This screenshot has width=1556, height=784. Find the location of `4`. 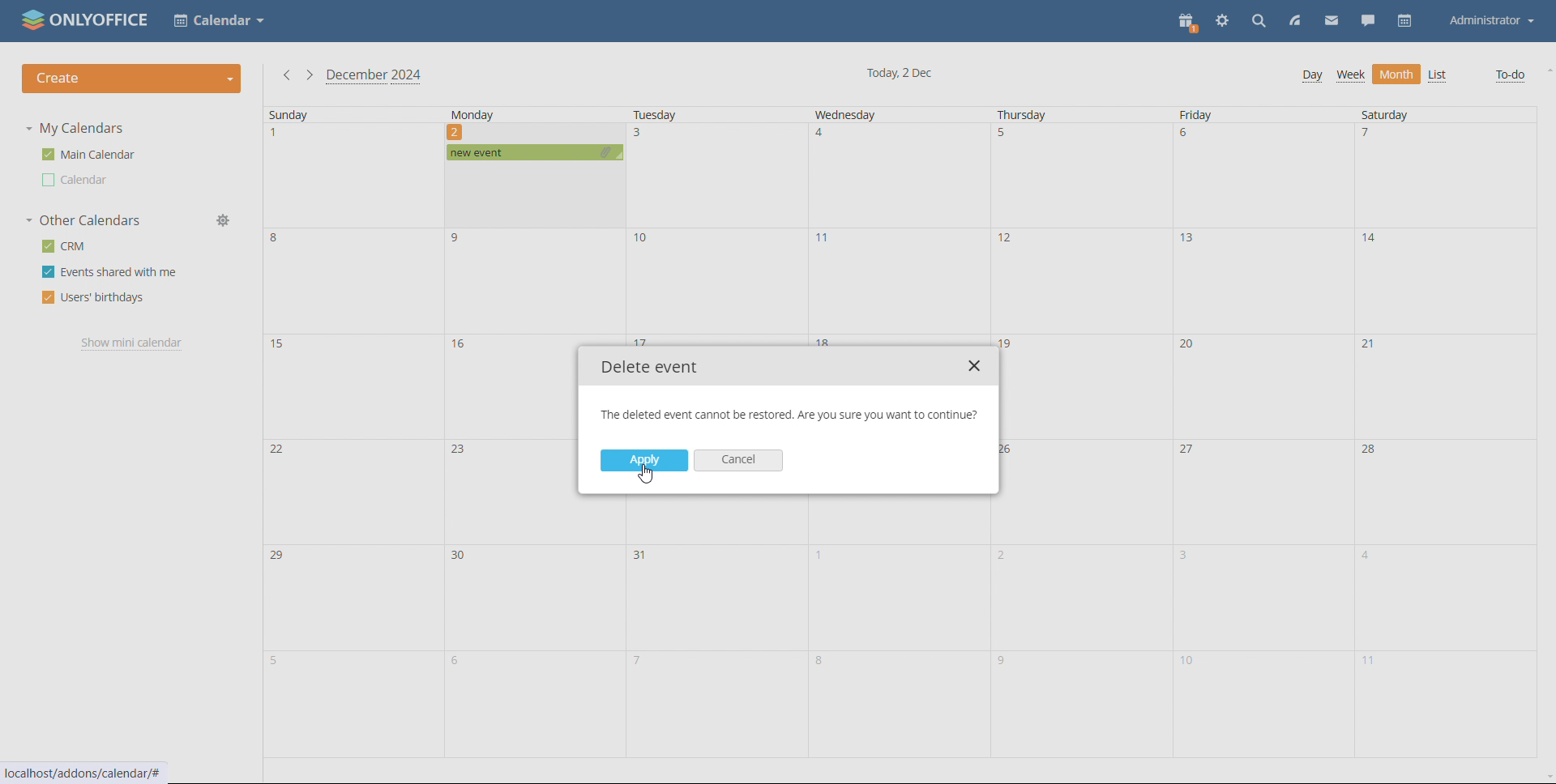

4 is located at coordinates (825, 138).